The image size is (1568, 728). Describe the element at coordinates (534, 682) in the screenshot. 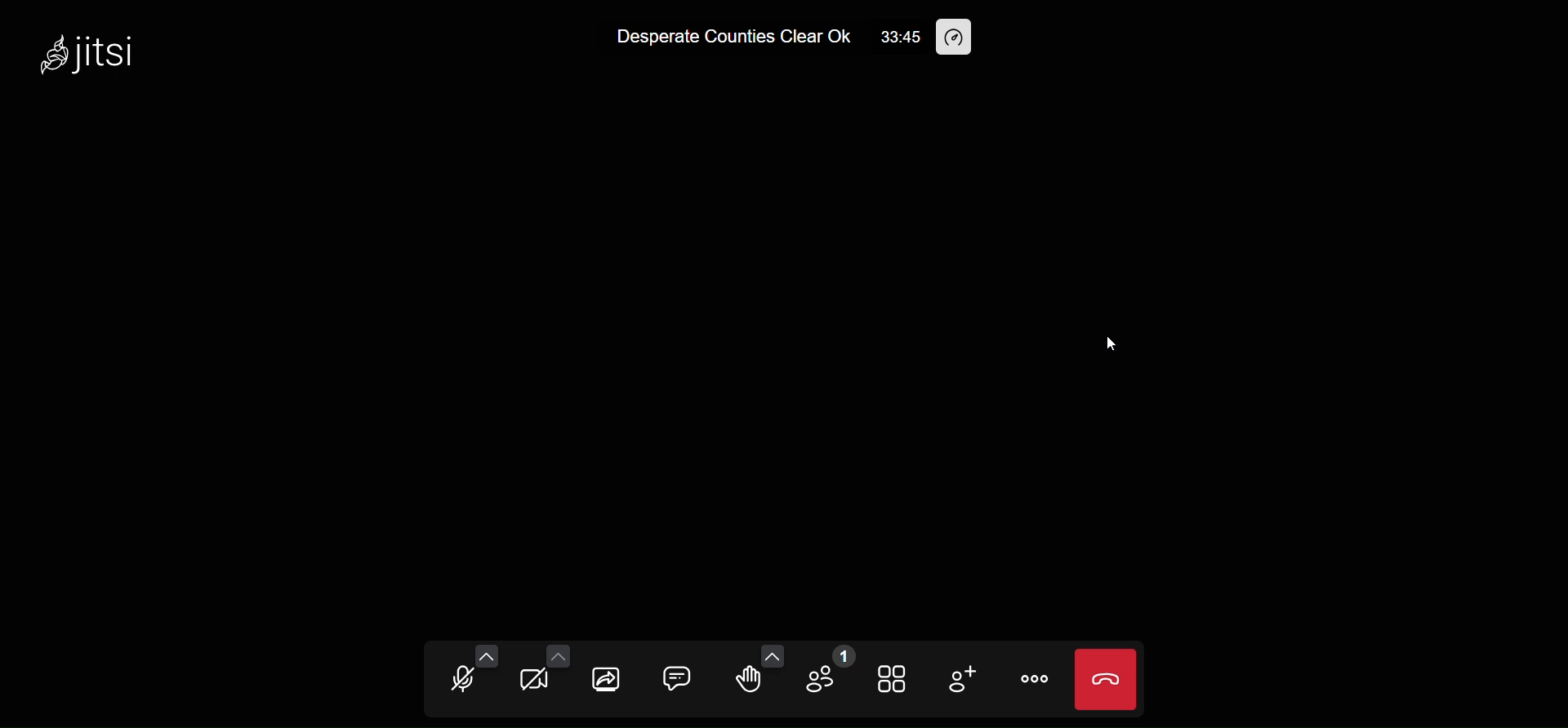

I see `camera` at that location.